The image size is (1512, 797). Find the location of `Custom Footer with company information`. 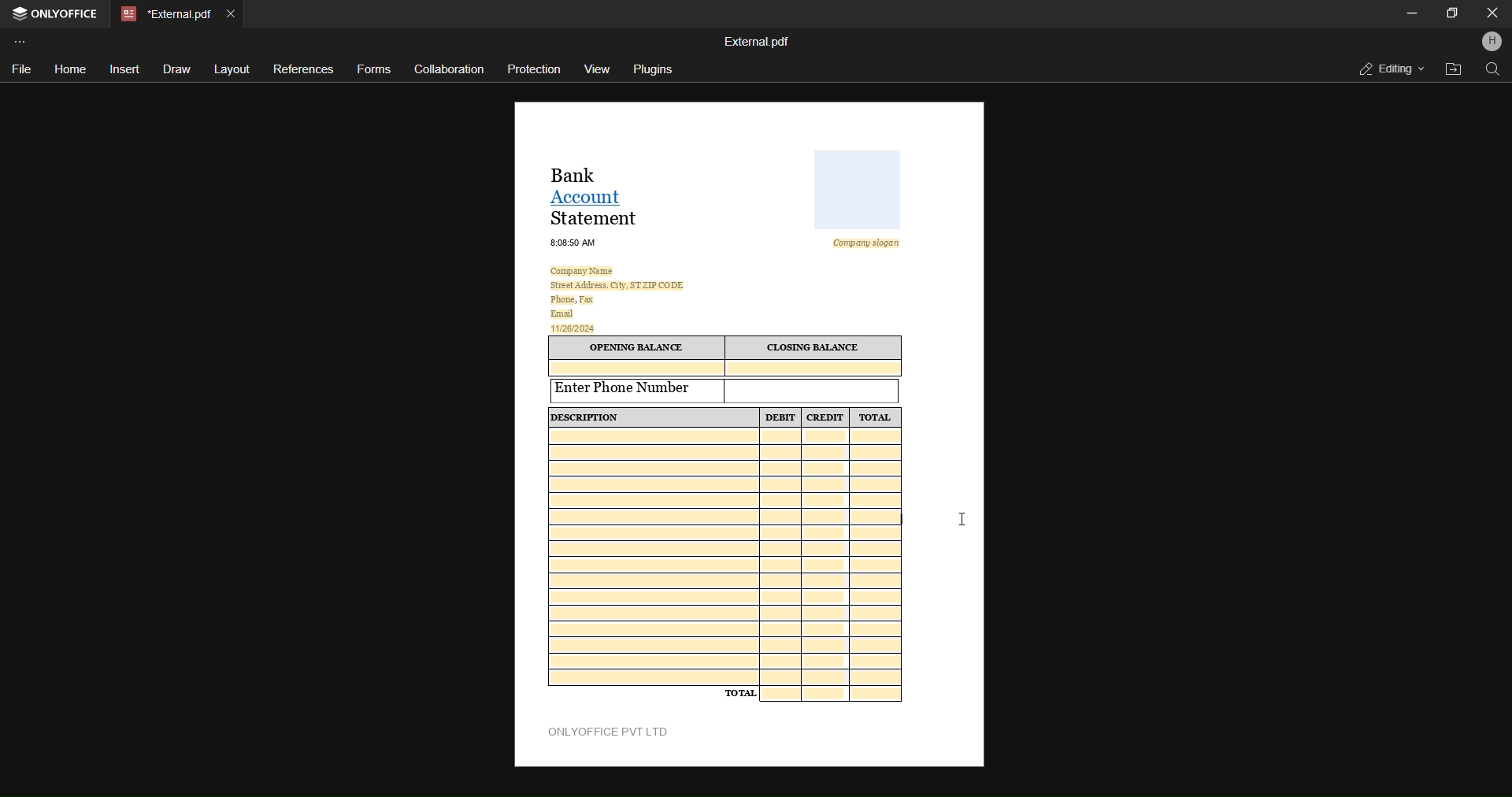

Custom Footer with company information is located at coordinates (616, 732).